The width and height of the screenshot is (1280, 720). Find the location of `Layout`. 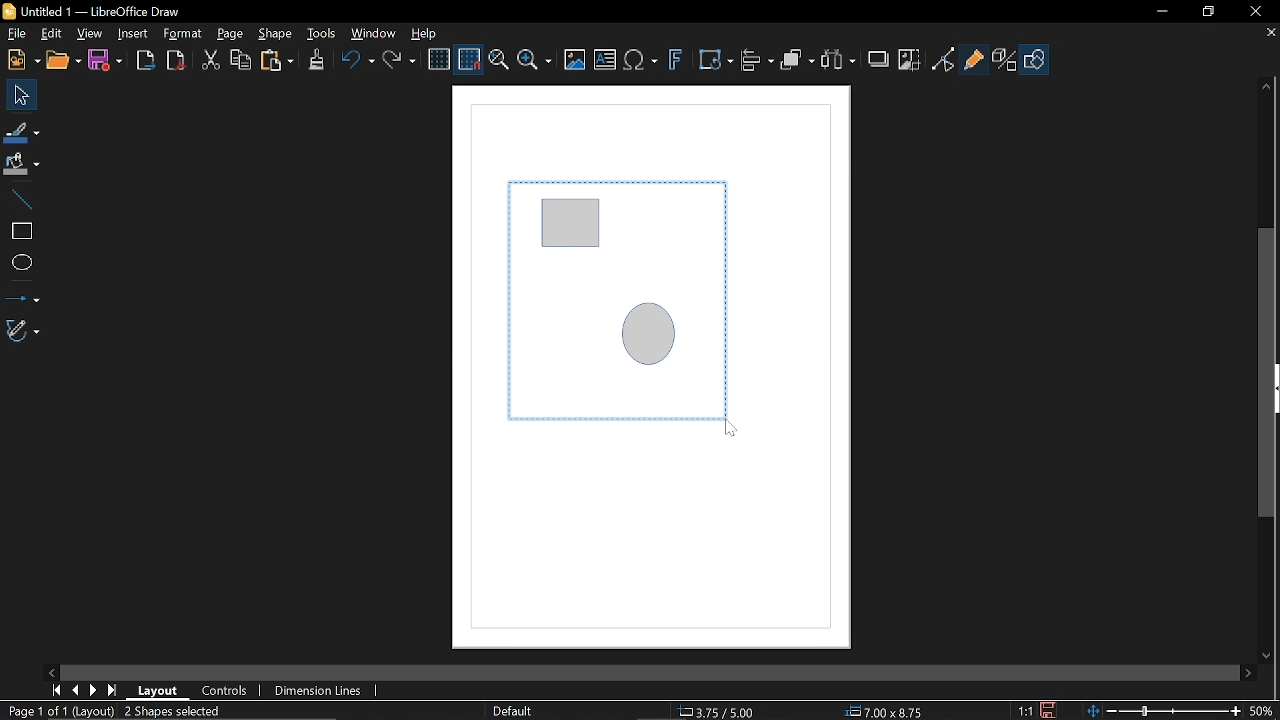

Layout is located at coordinates (157, 690).